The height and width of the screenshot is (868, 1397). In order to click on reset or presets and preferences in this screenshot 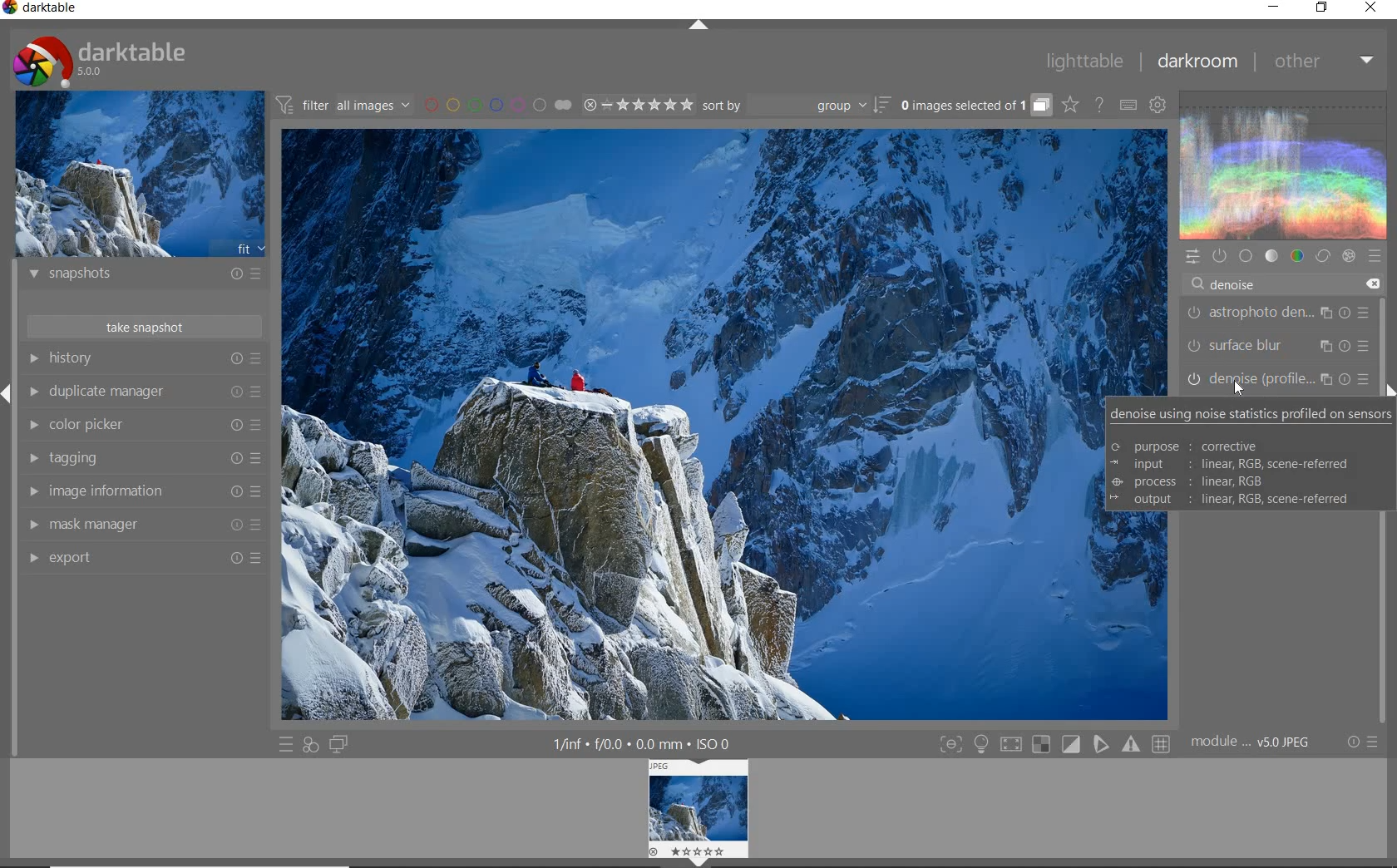, I will do `click(1365, 742)`.